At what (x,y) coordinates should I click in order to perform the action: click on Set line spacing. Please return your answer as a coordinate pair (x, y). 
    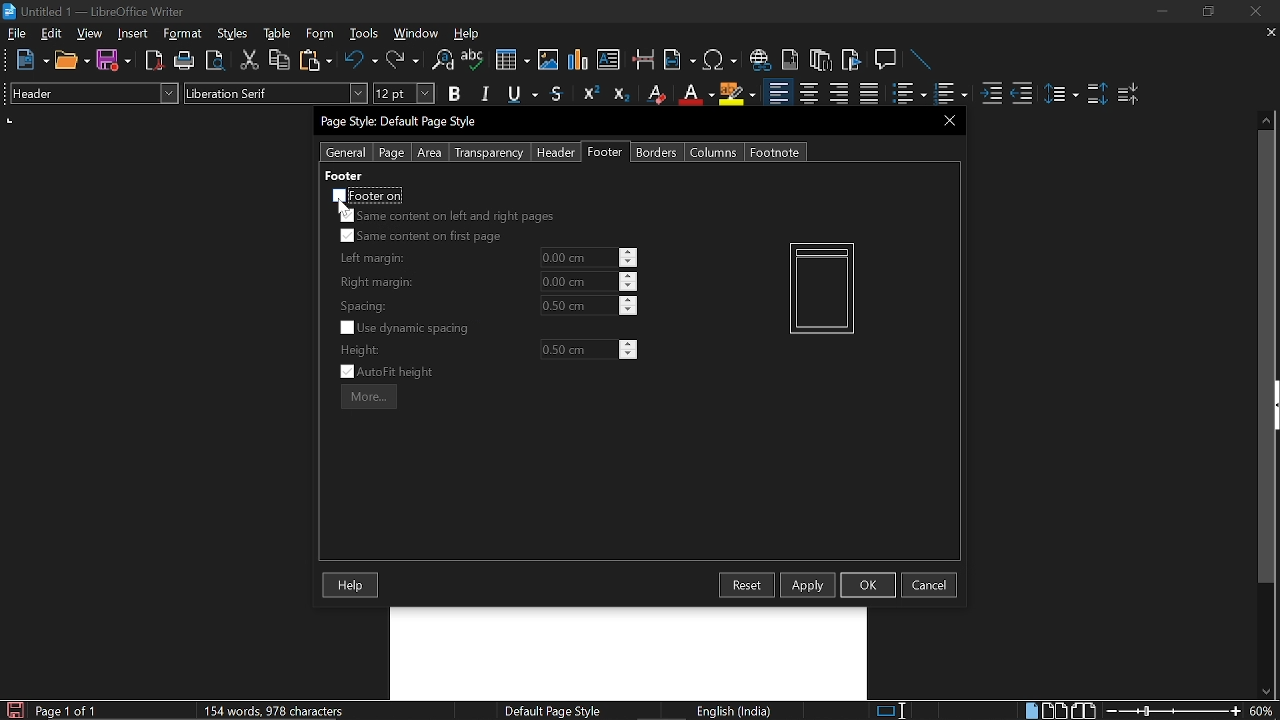
    Looking at the image, I should click on (1060, 94).